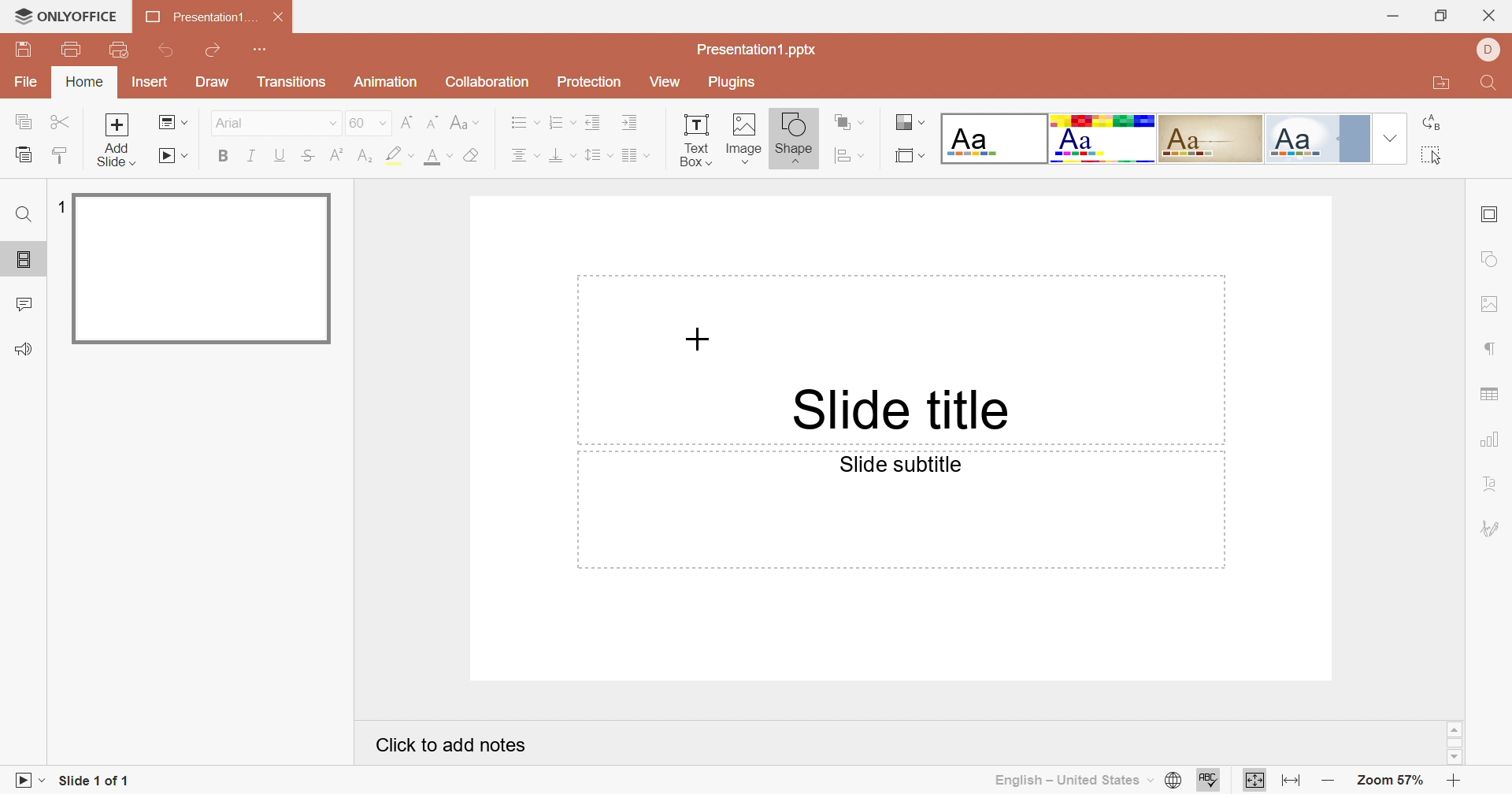 This screenshot has height=794, width=1512. Describe the element at coordinates (261, 47) in the screenshot. I see `Customize Quick Access Toolbar` at that location.